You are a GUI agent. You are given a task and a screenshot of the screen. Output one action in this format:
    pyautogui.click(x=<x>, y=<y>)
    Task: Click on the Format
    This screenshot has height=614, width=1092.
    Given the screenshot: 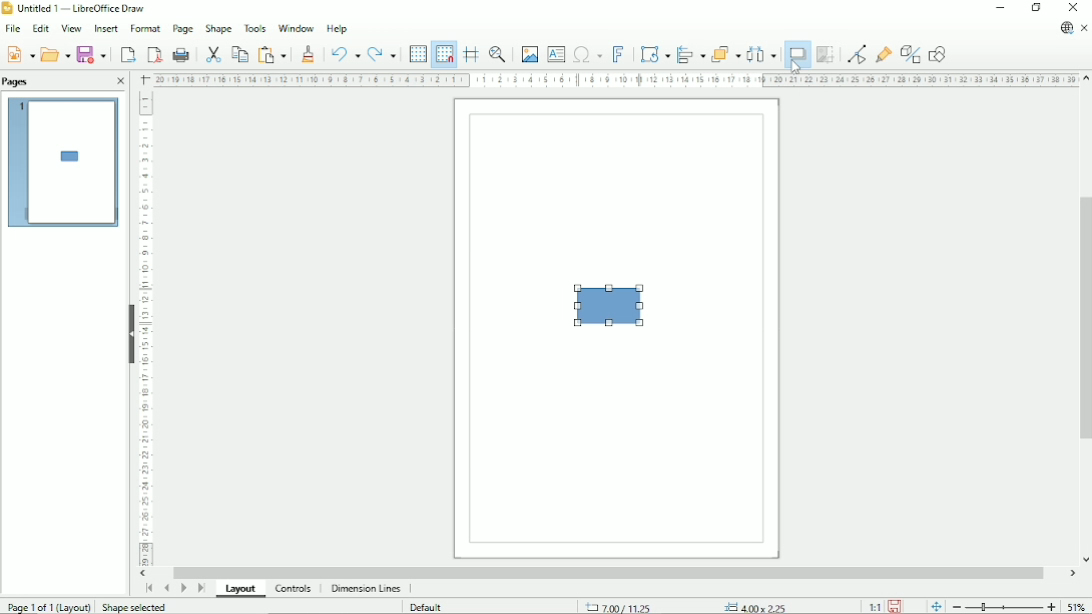 What is the action you would take?
    pyautogui.click(x=148, y=28)
    